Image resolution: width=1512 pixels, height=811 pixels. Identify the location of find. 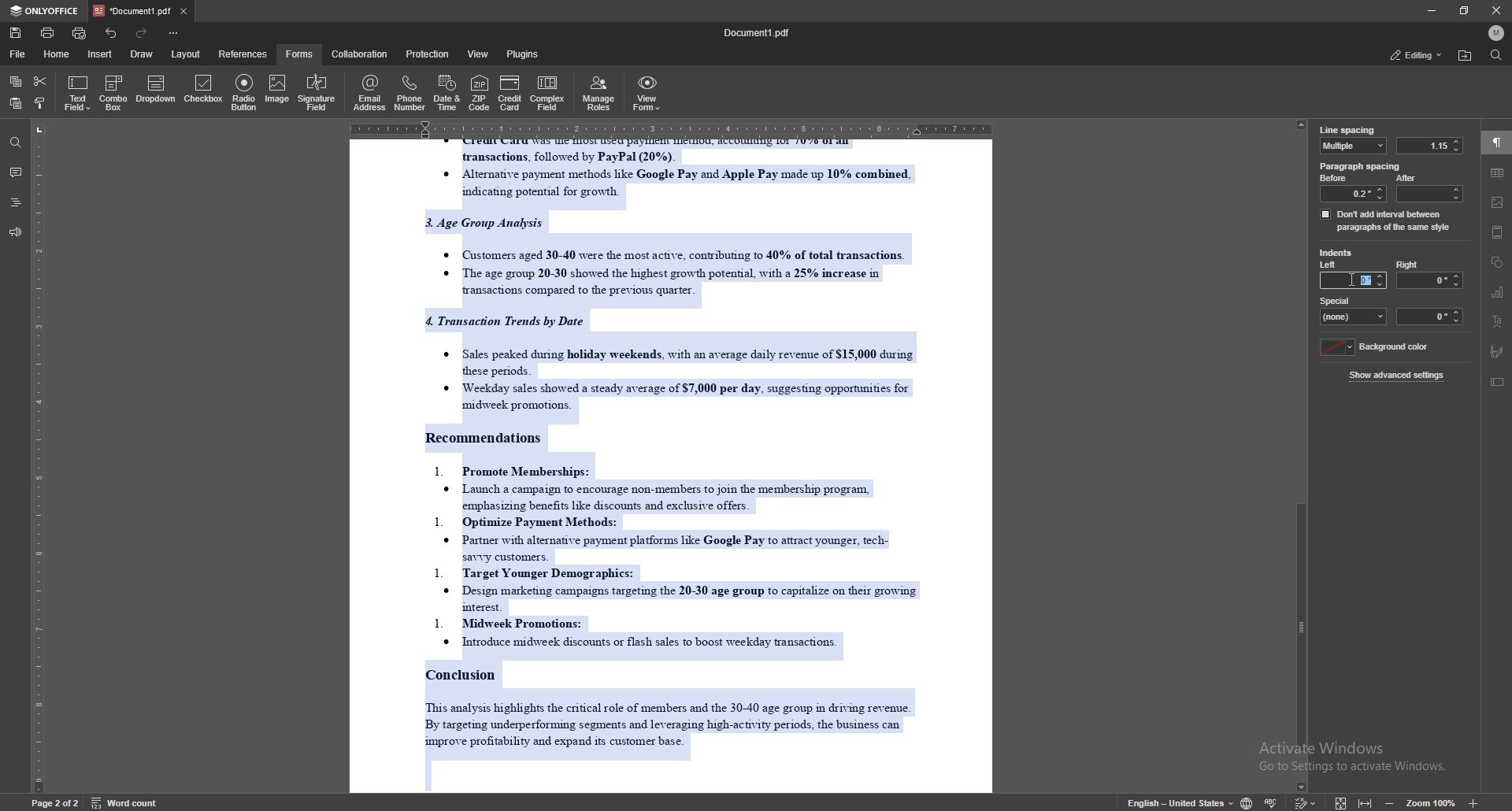
(1496, 55).